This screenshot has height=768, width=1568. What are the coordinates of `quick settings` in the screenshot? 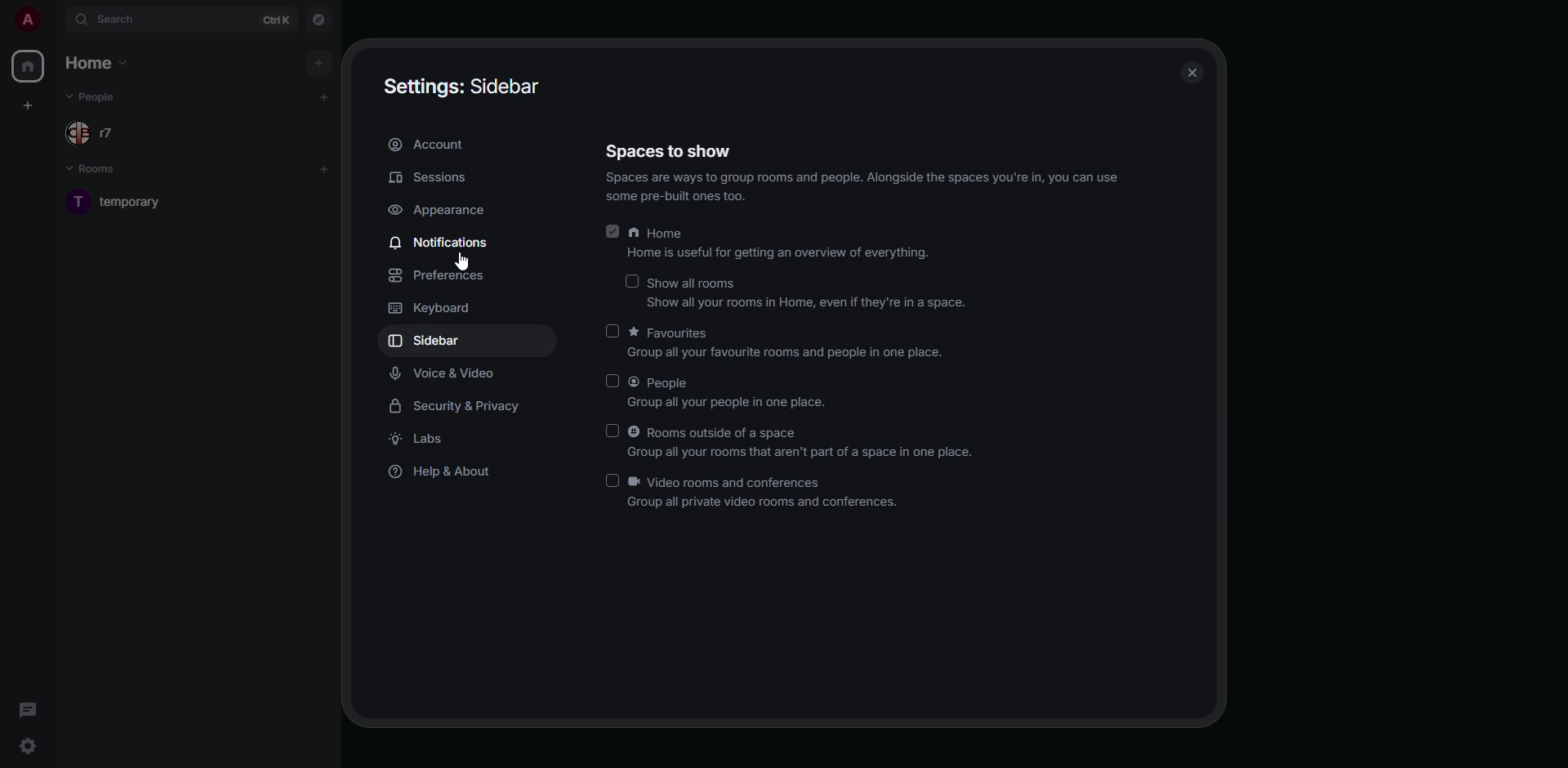 It's located at (29, 746).